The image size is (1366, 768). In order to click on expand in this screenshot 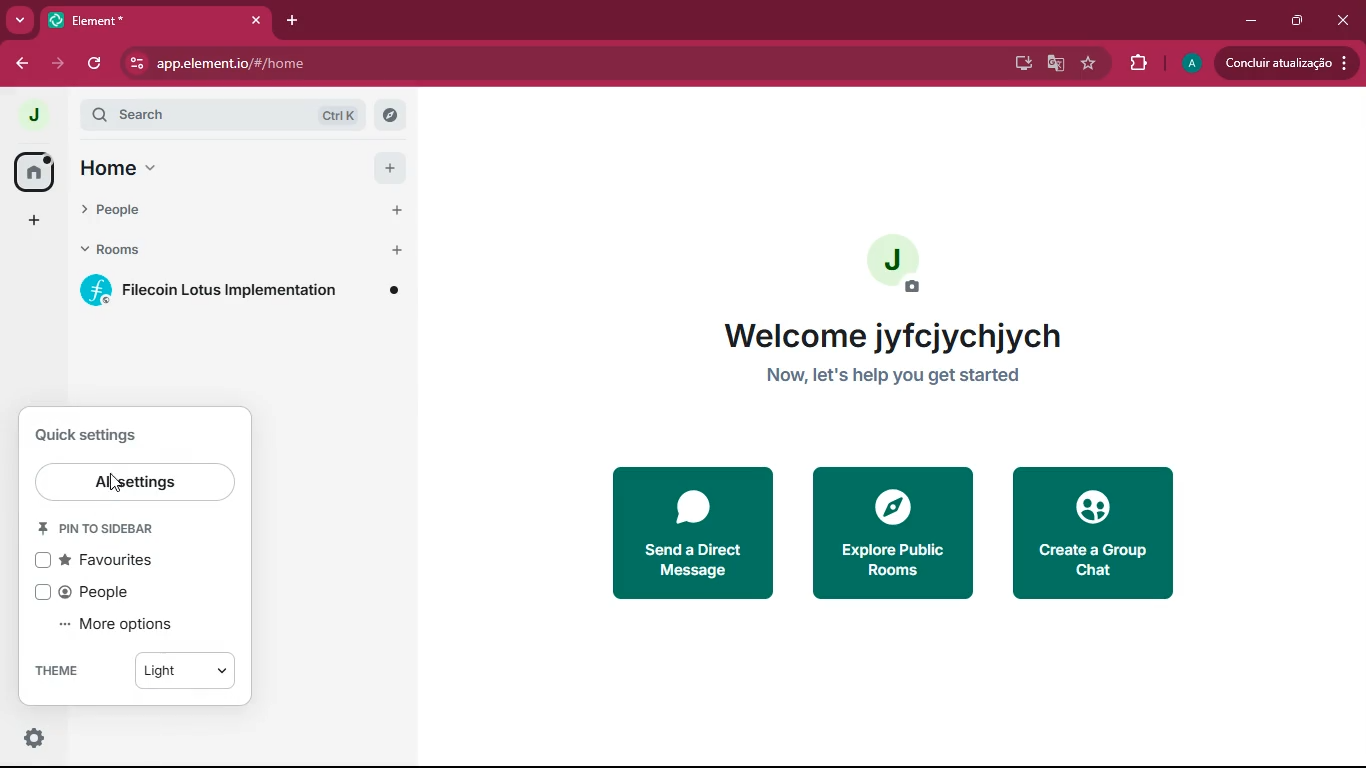, I will do `click(69, 116)`.